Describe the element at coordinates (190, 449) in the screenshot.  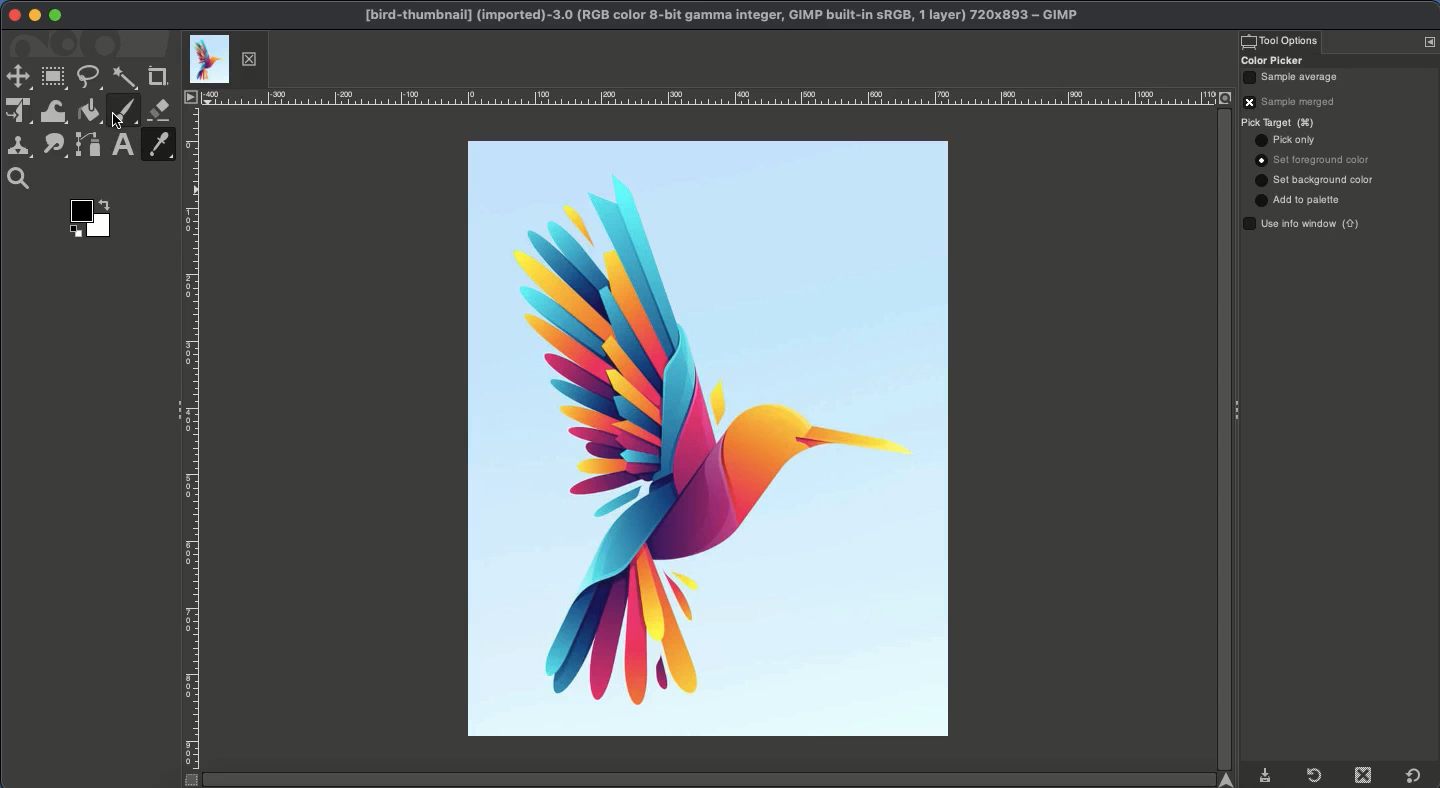
I see `Ruler` at that location.